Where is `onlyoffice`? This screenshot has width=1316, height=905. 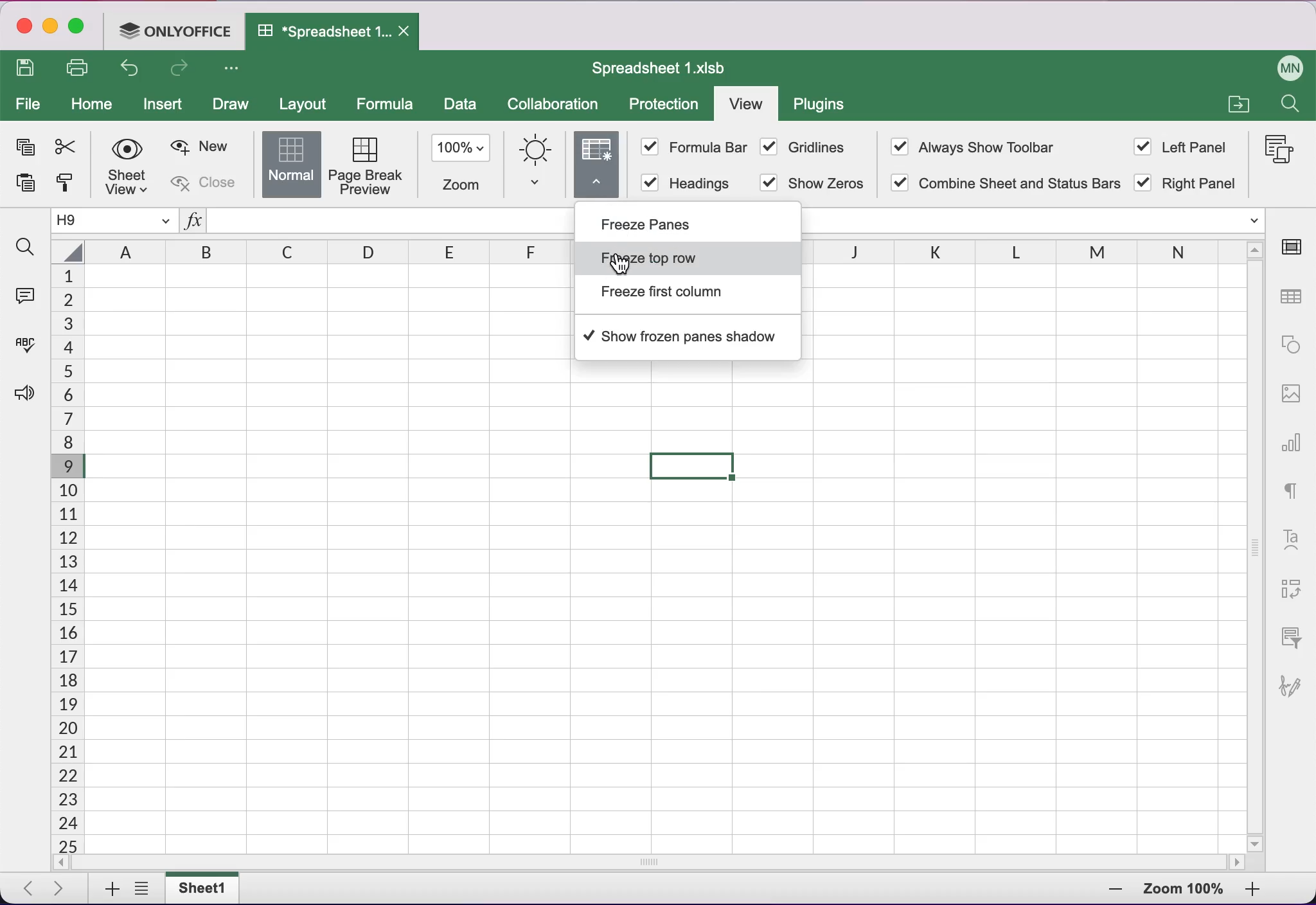
onlyoffice is located at coordinates (175, 33).